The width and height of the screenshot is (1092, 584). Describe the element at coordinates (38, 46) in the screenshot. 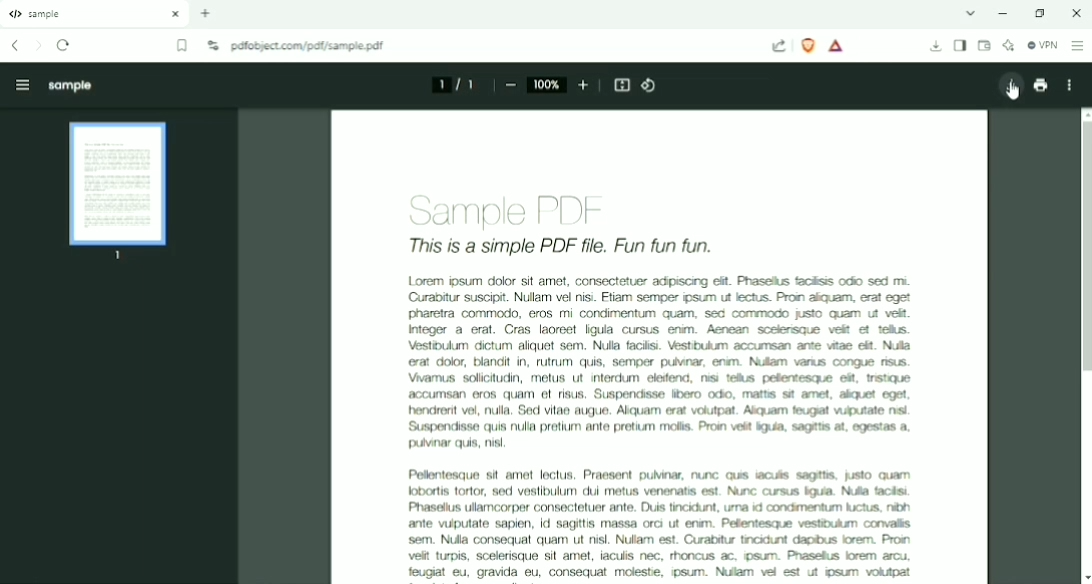

I see `Click to go forward, hold to see history` at that location.